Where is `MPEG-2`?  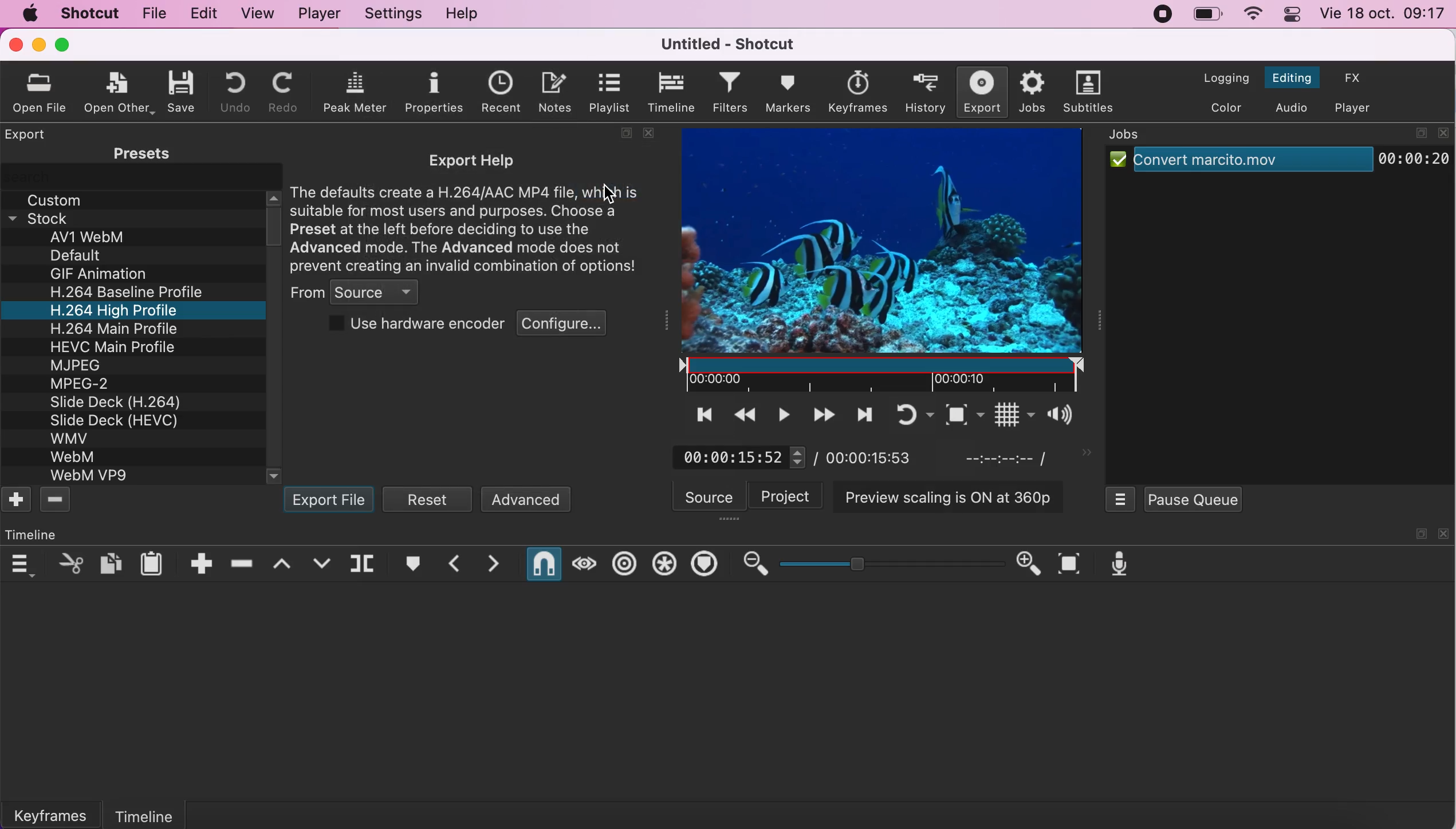 MPEG-2 is located at coordinates (86, 385).